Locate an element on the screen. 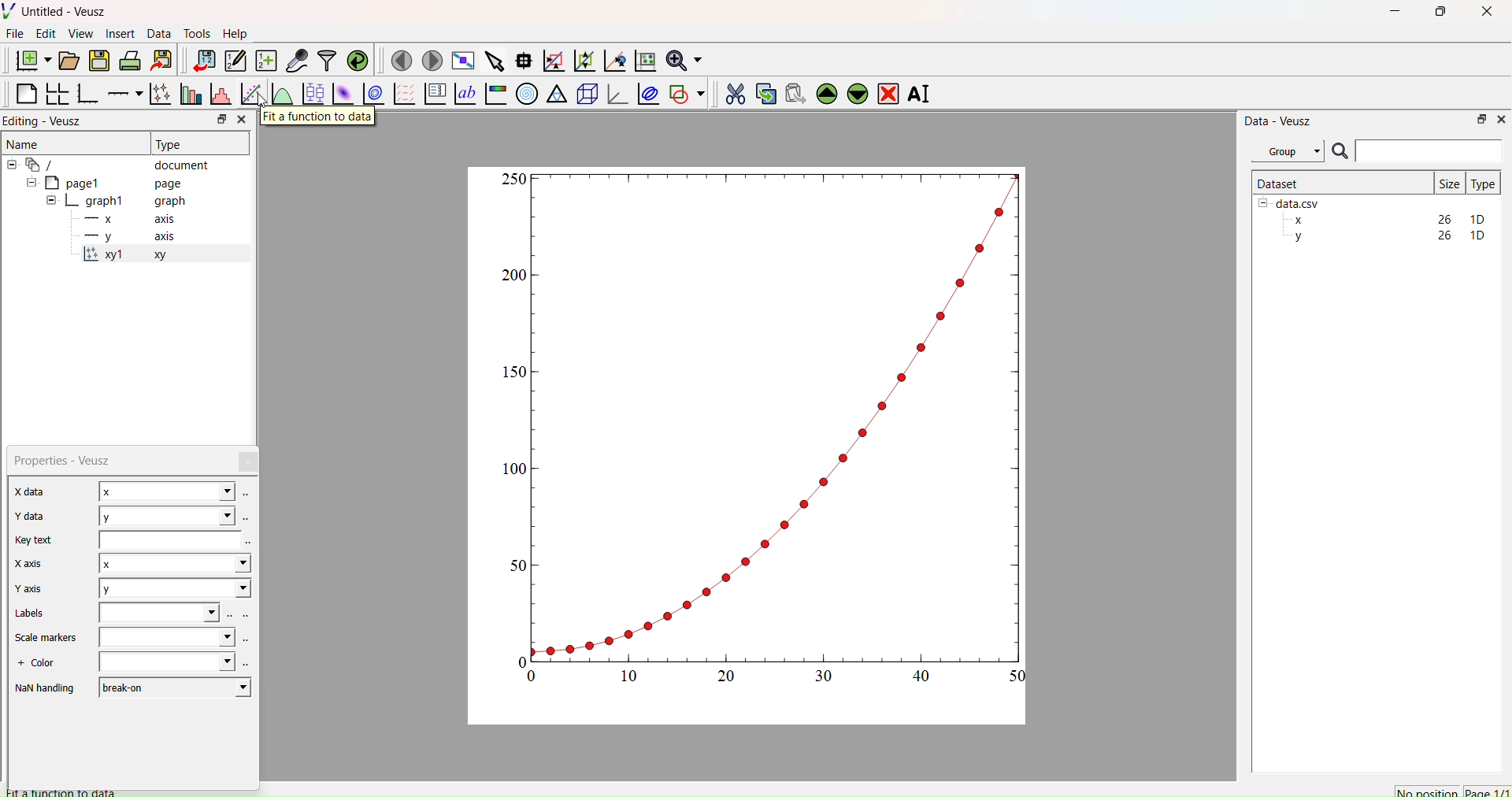 This screenshot has height=797, width=1512. dropdown is located at coordinates (166, 661).